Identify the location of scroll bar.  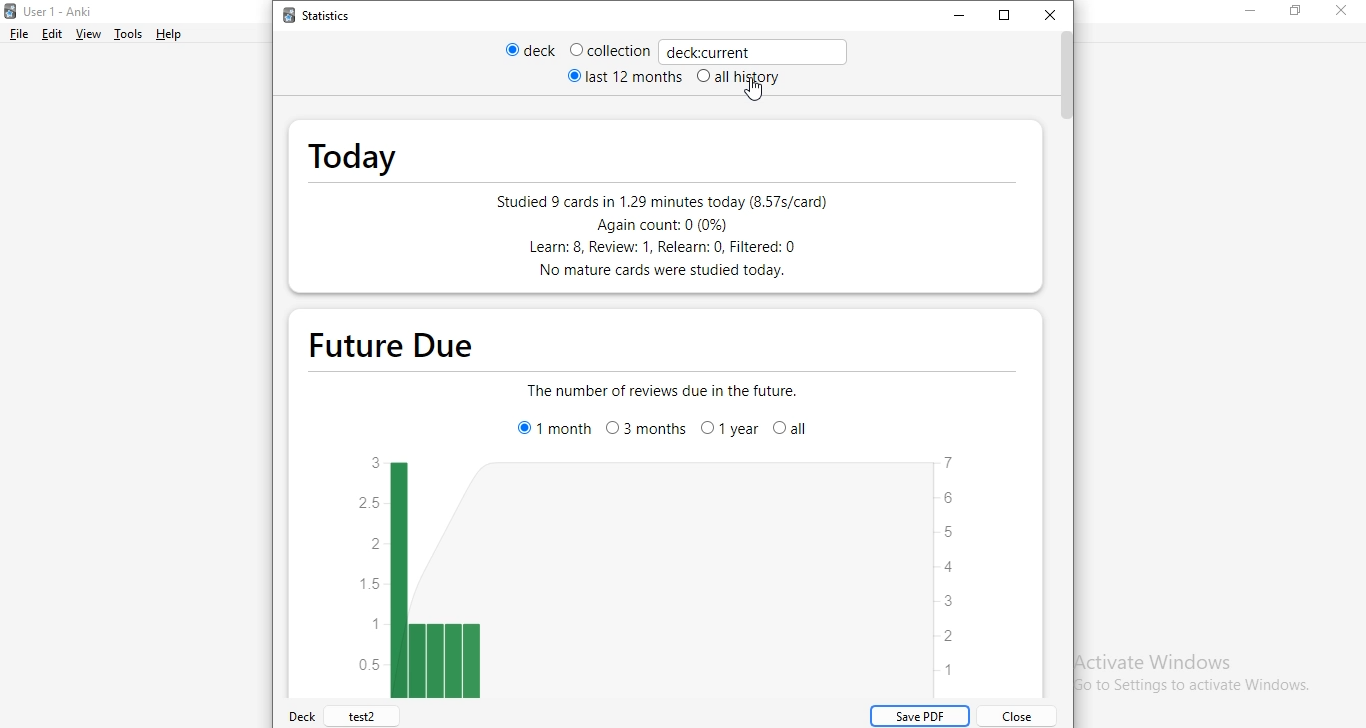
(1072, 83).